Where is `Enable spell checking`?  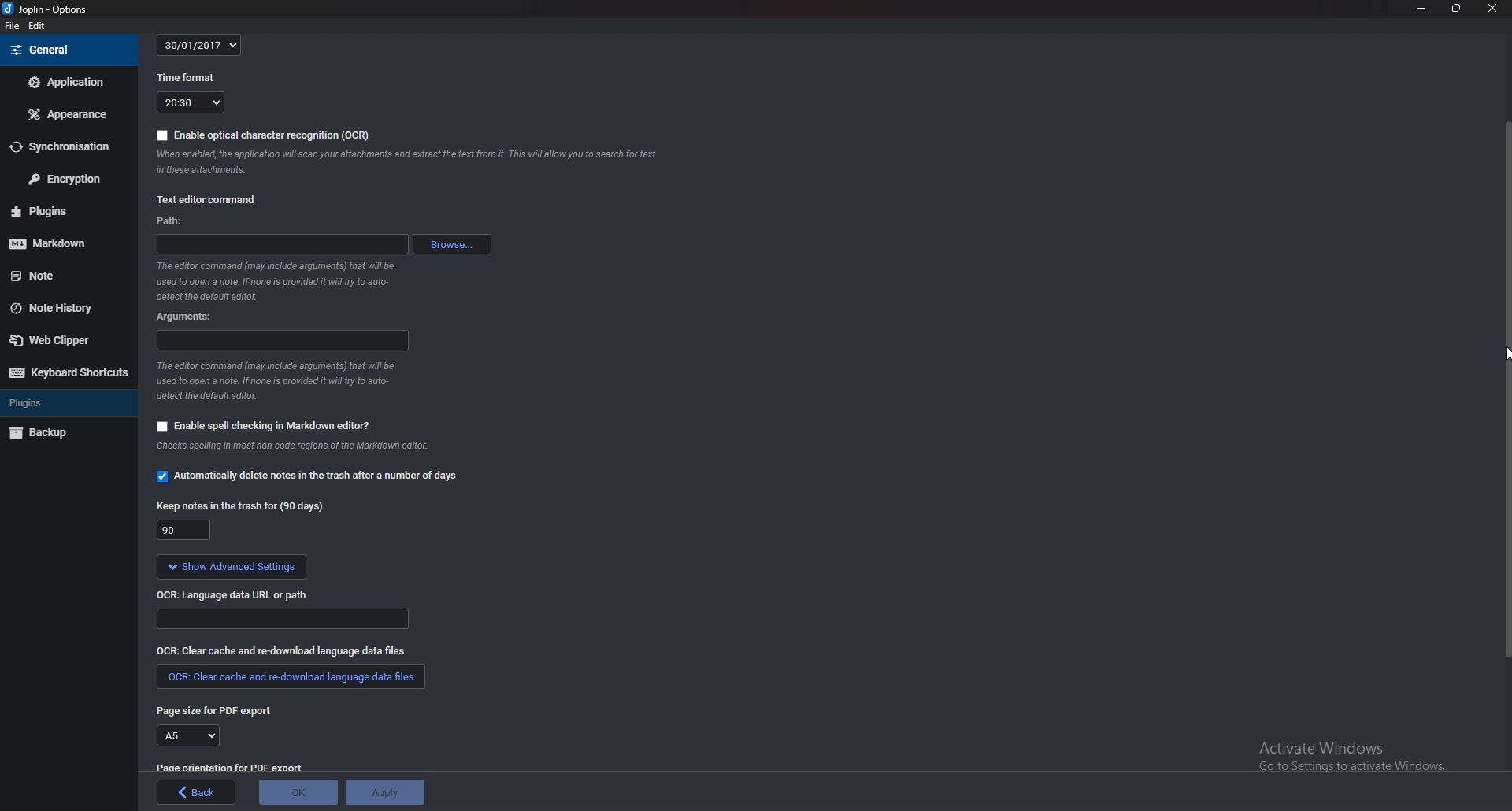 Enable spell checking is located at coordinates (265, 427).